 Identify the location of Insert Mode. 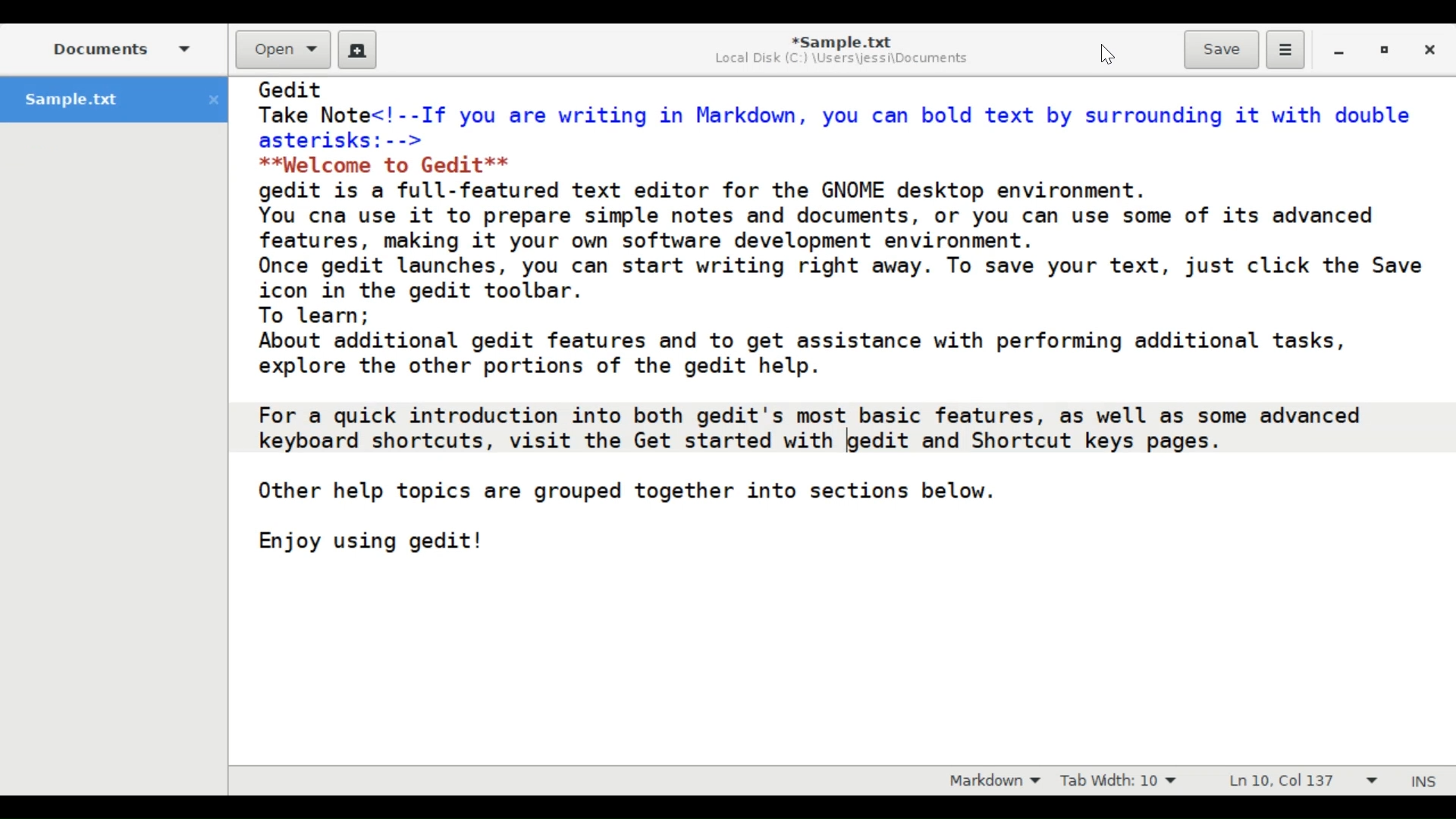
(1423, 780).